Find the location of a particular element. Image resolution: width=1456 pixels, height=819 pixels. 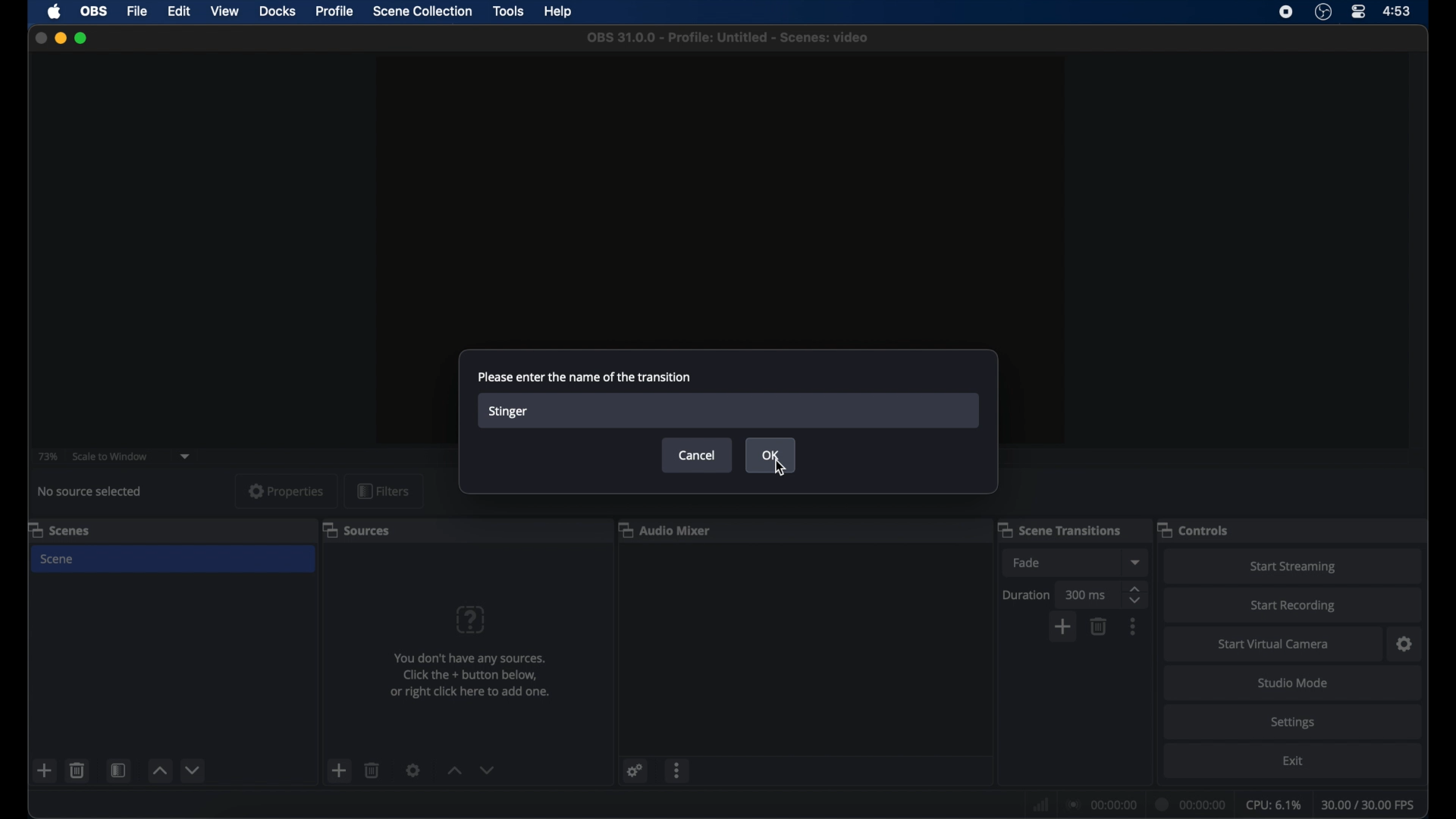

exit is located at coordinates (1293, 761).